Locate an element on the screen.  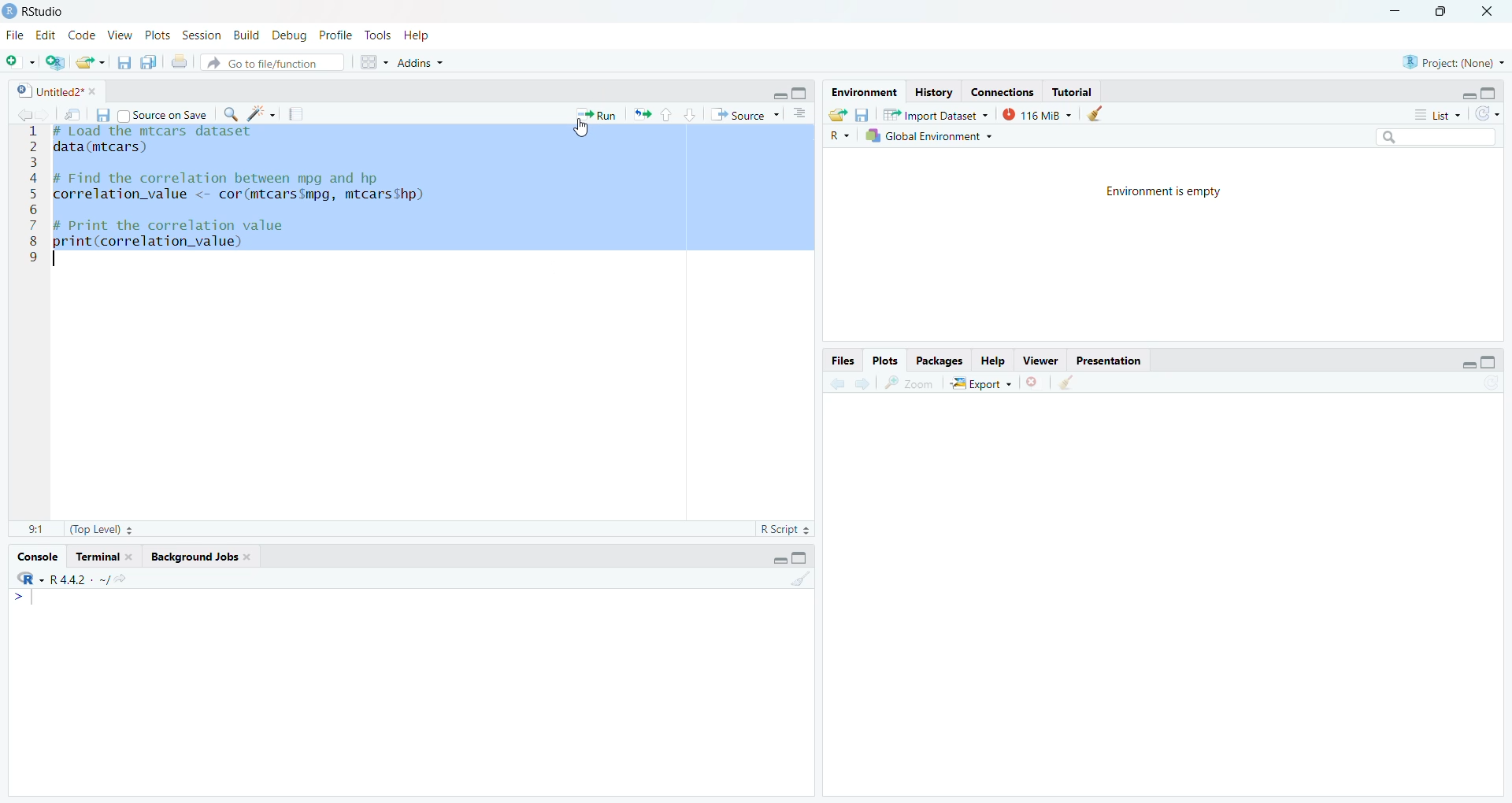
View is located at coordinates (1040, 361).